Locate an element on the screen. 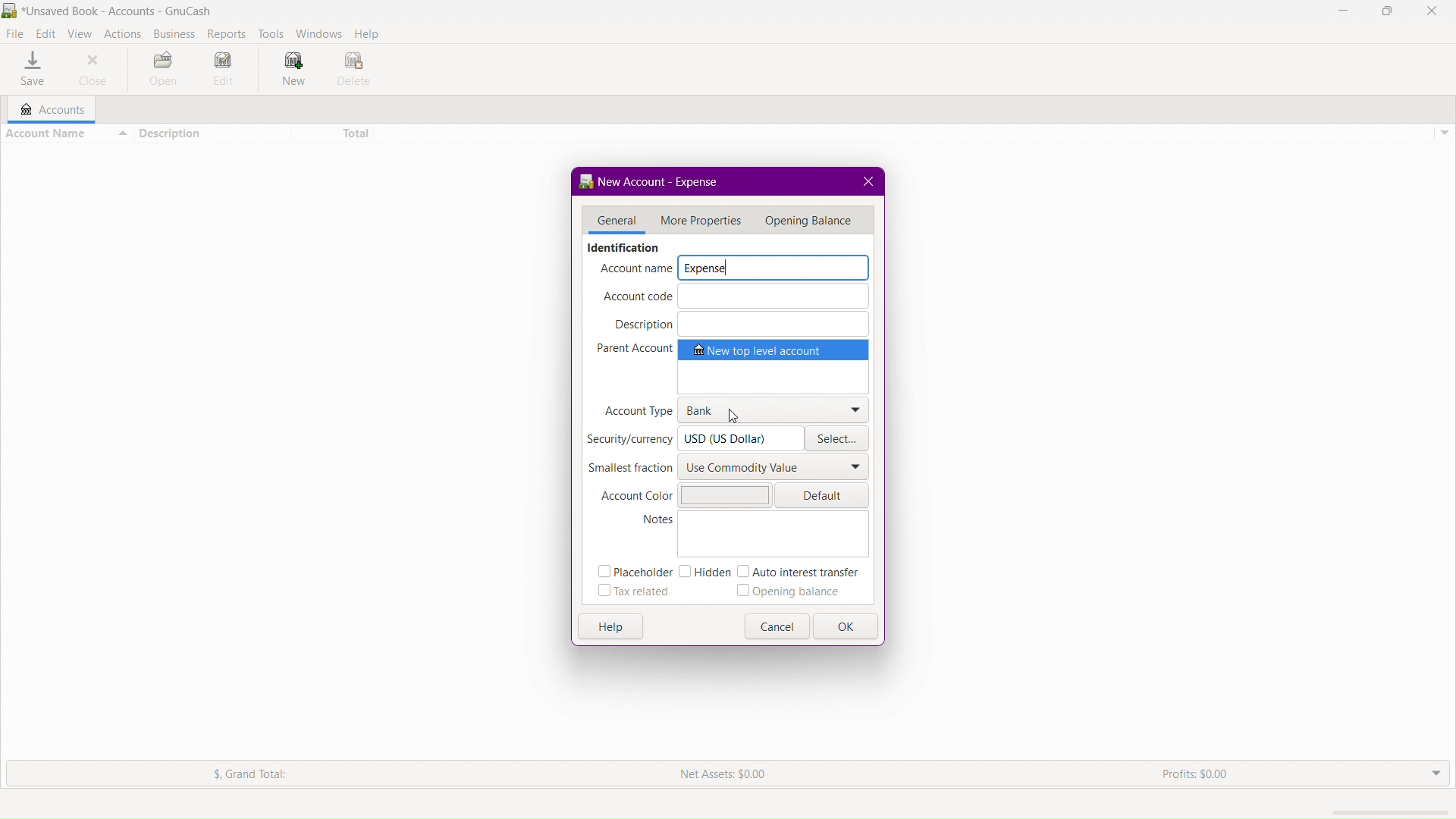 The height and width of the screenshot is (819, 1456). Windows is located at coordinates (319, 32).